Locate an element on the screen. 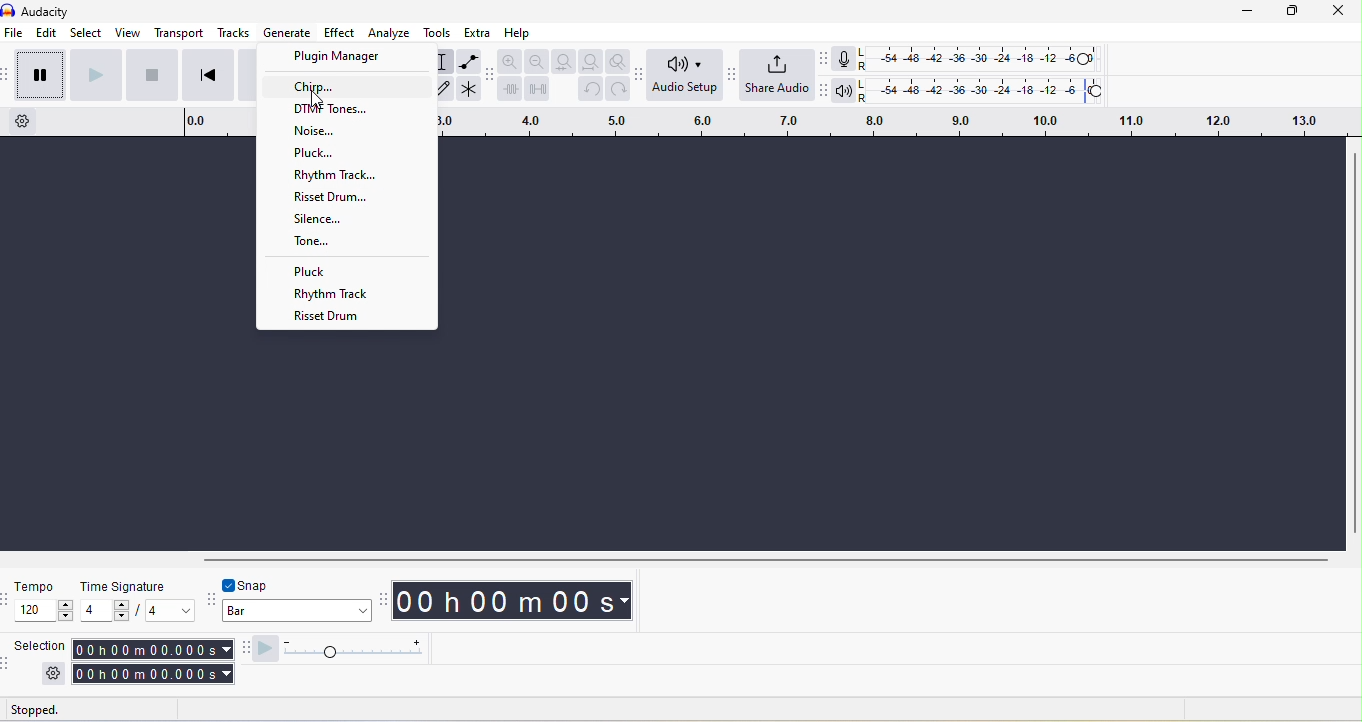 This screenshot has height=722, width=1362. audacity time toolbar is located at coordinates (384, 598).